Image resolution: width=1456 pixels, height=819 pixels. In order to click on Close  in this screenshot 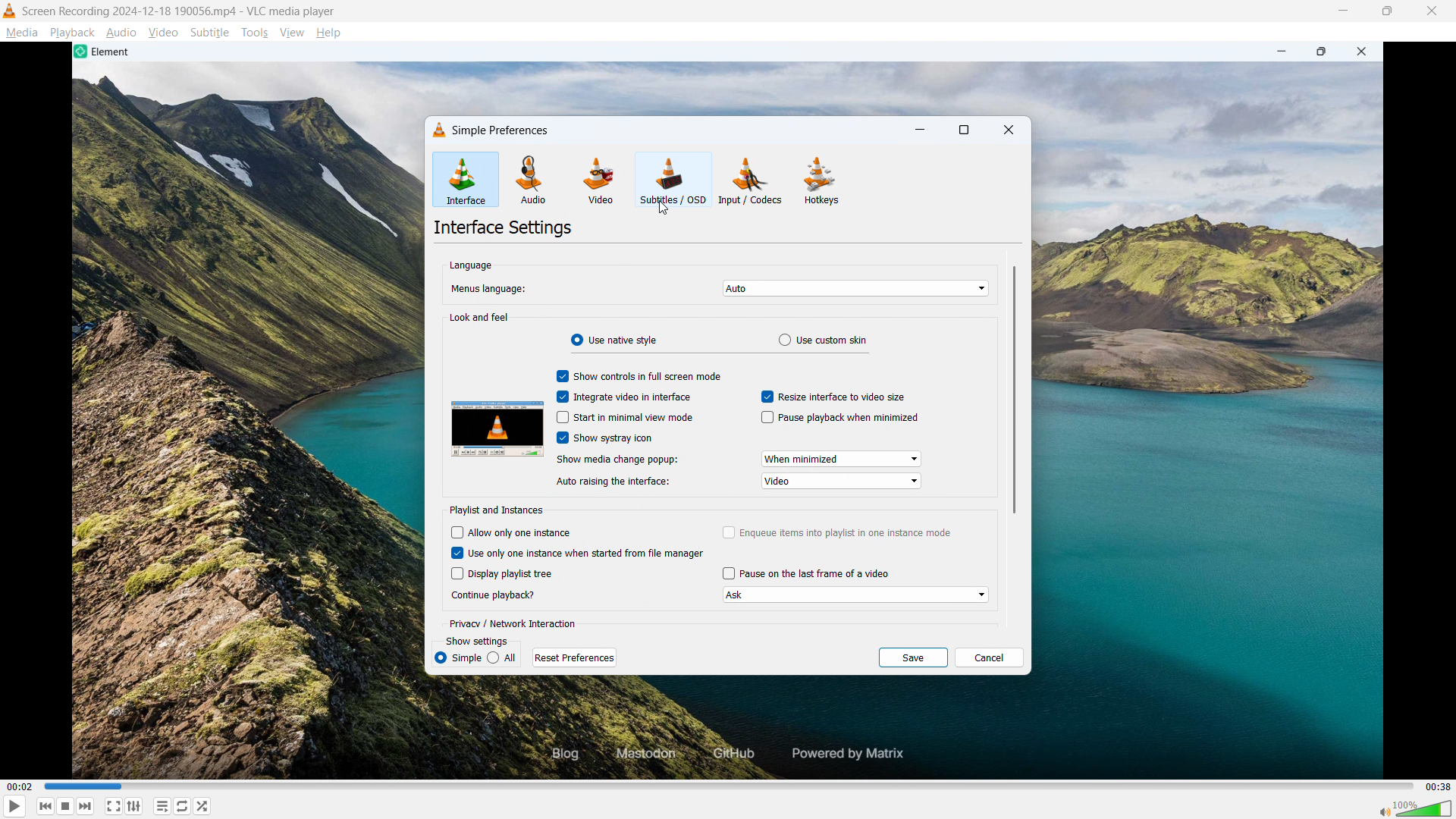, I will do `click(1432, 11)`.